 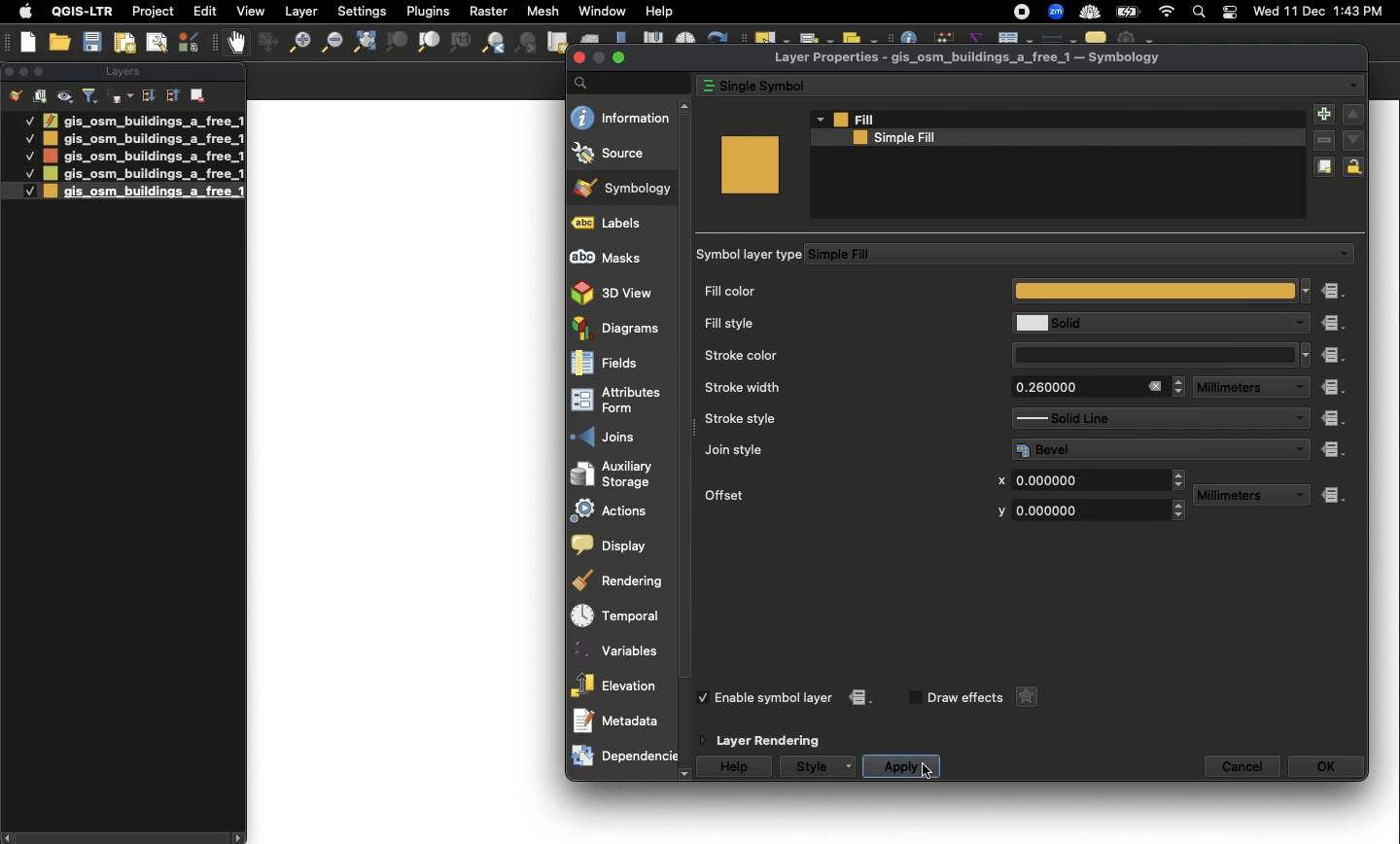 I want to click on Checked, so click(x=27, y=173).